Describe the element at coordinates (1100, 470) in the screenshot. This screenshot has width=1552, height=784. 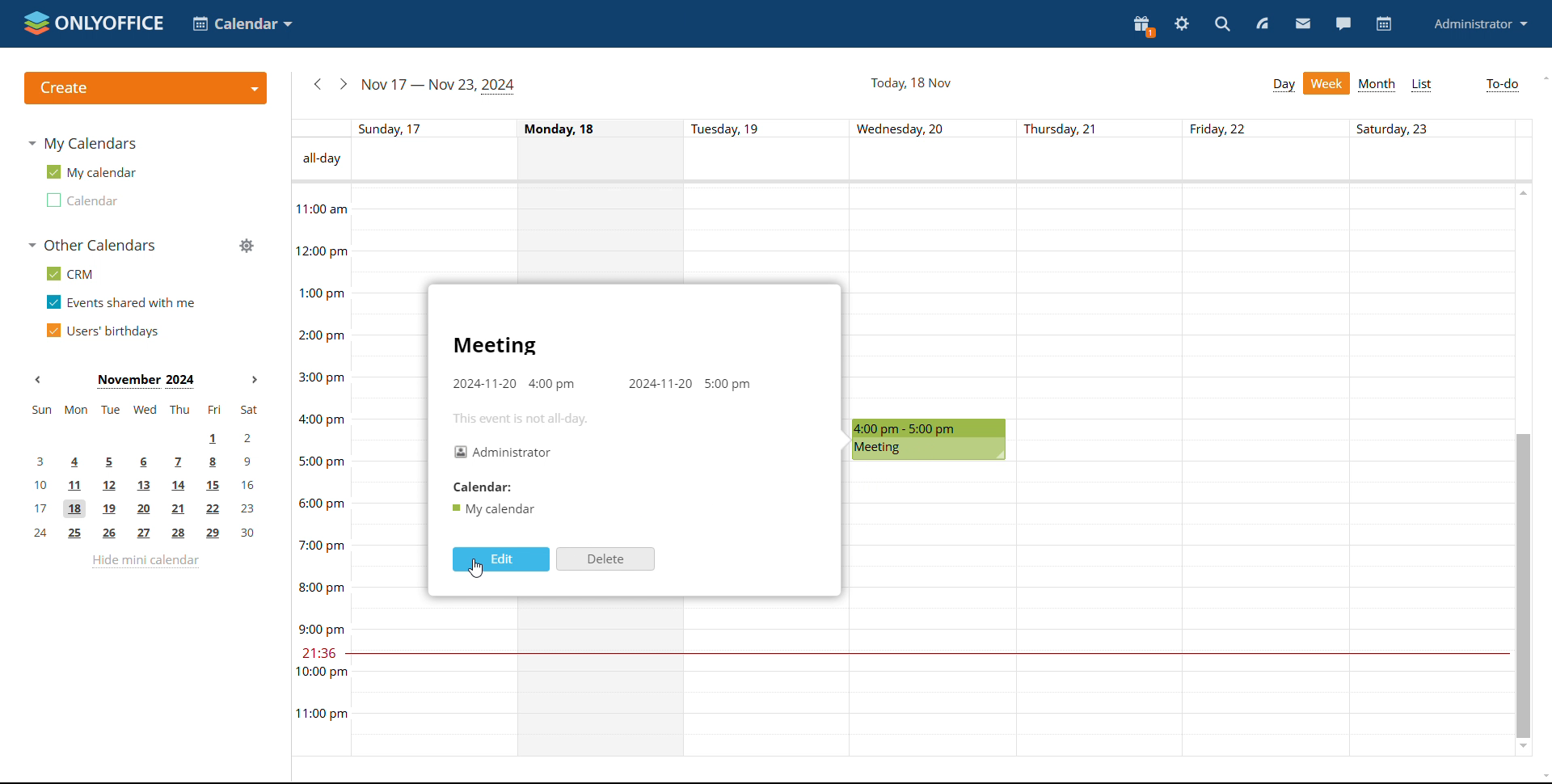
I see `Thursday` at that location.